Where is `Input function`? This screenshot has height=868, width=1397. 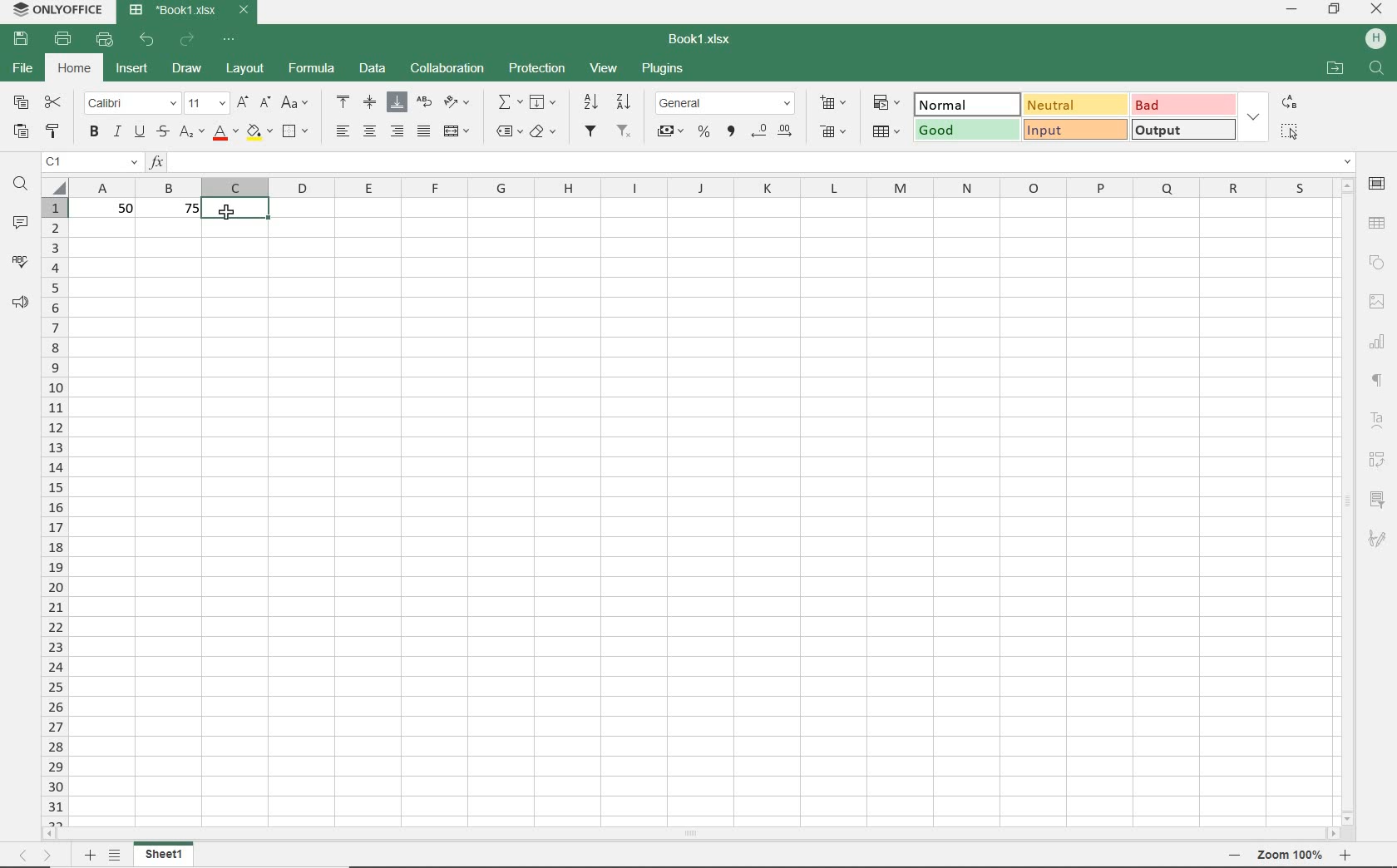 Input function is located at coordinates (751, 161).